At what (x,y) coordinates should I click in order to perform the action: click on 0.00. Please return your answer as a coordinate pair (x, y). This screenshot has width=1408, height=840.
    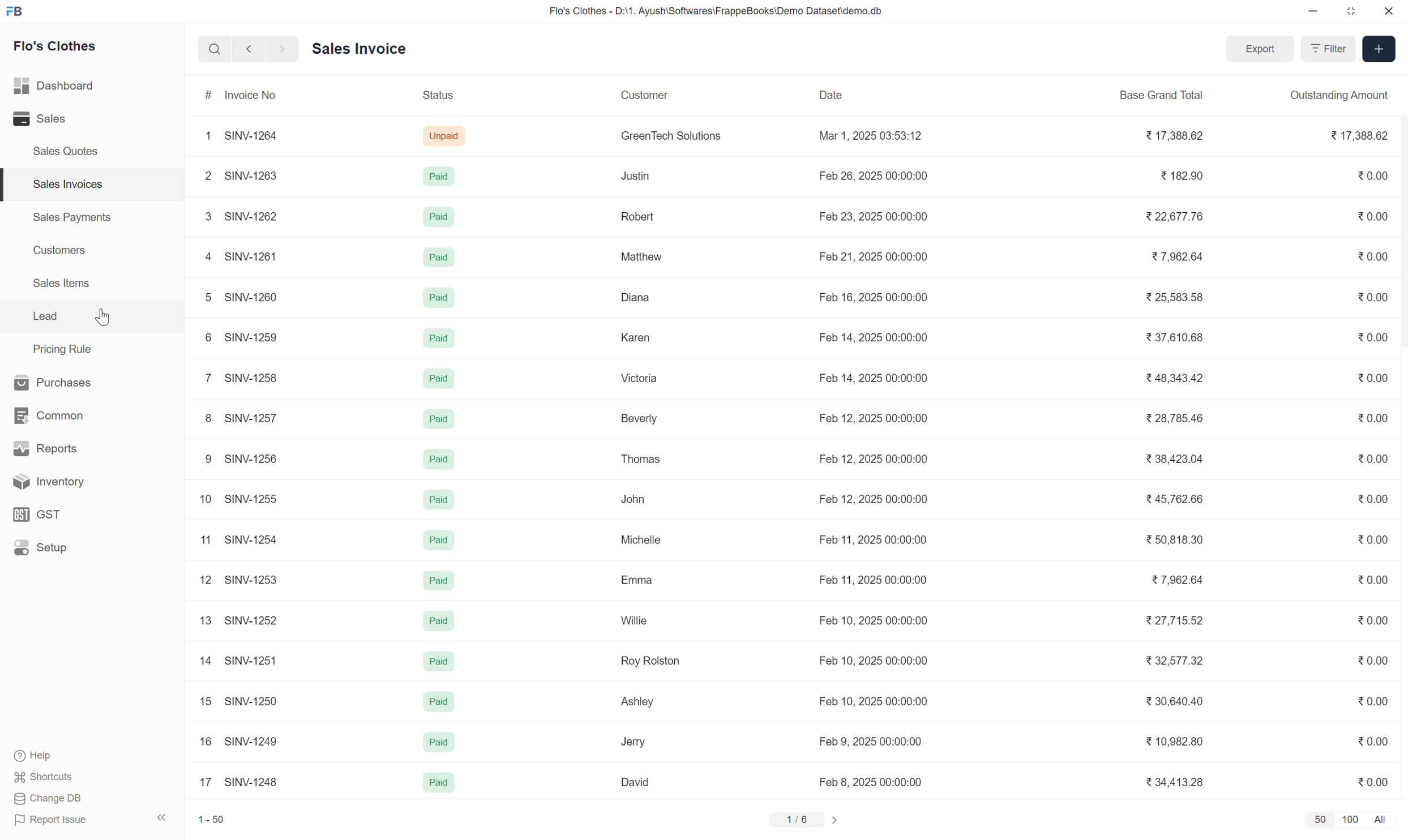
    Looking at the image, I should click on (1367, 538).